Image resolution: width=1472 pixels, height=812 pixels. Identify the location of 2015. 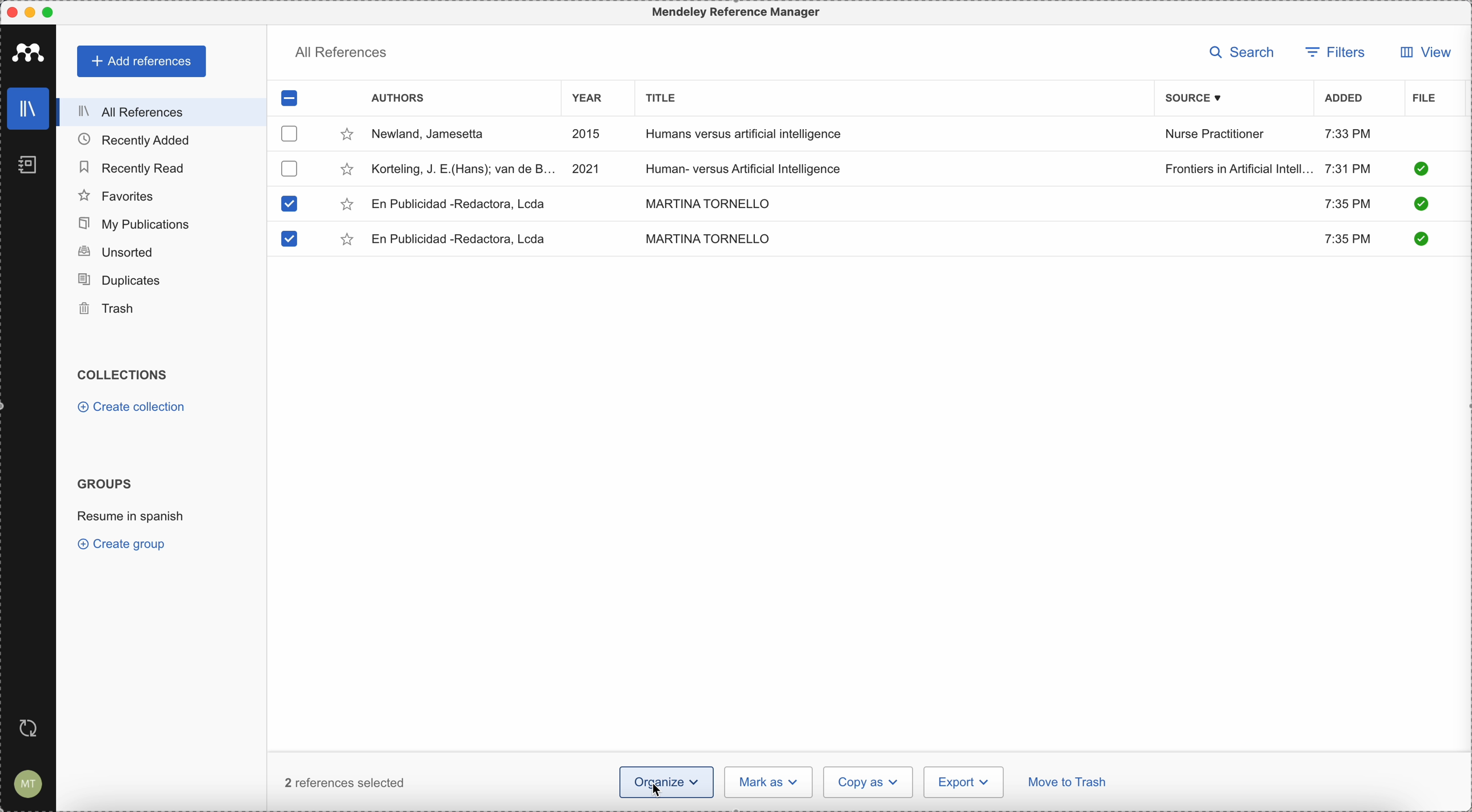
(589, 135).